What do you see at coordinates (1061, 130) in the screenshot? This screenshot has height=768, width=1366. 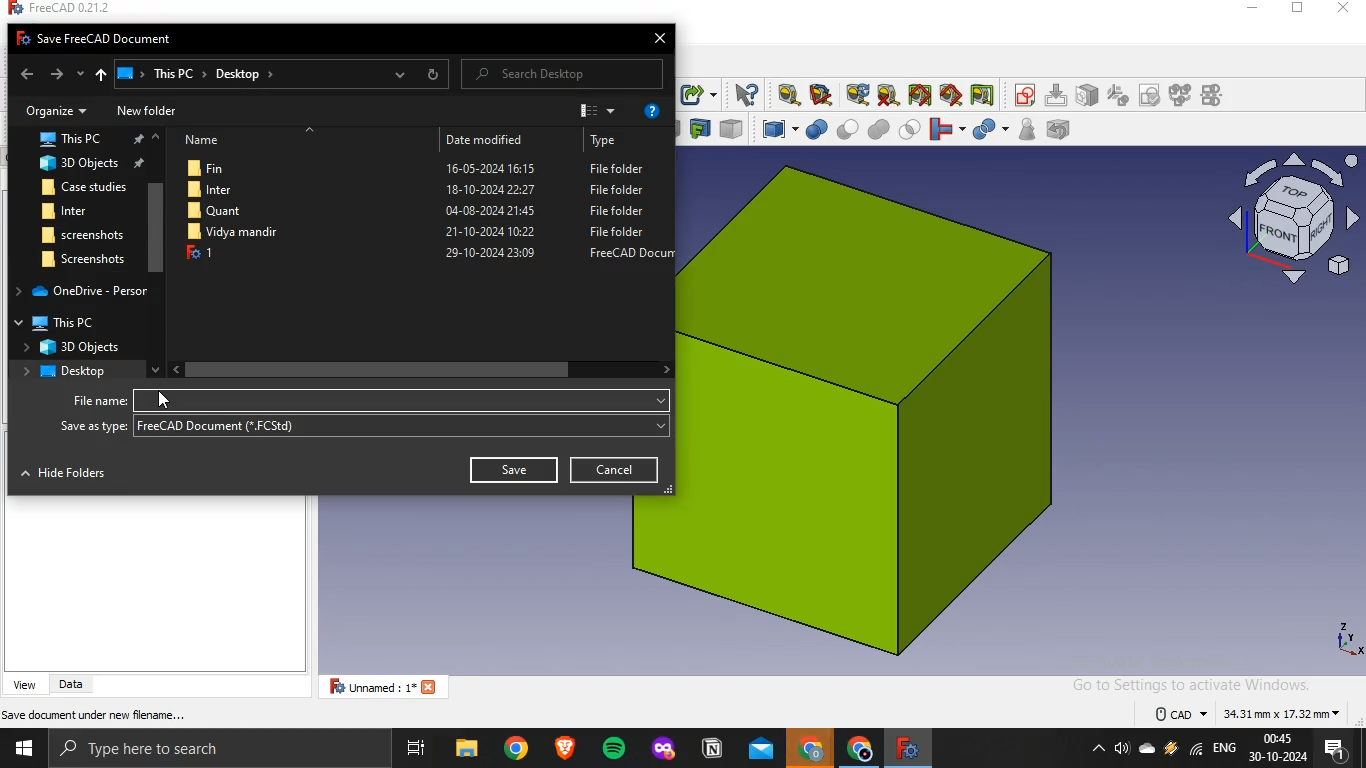 I see `defeaturing` at bounding box center [1061, 130].